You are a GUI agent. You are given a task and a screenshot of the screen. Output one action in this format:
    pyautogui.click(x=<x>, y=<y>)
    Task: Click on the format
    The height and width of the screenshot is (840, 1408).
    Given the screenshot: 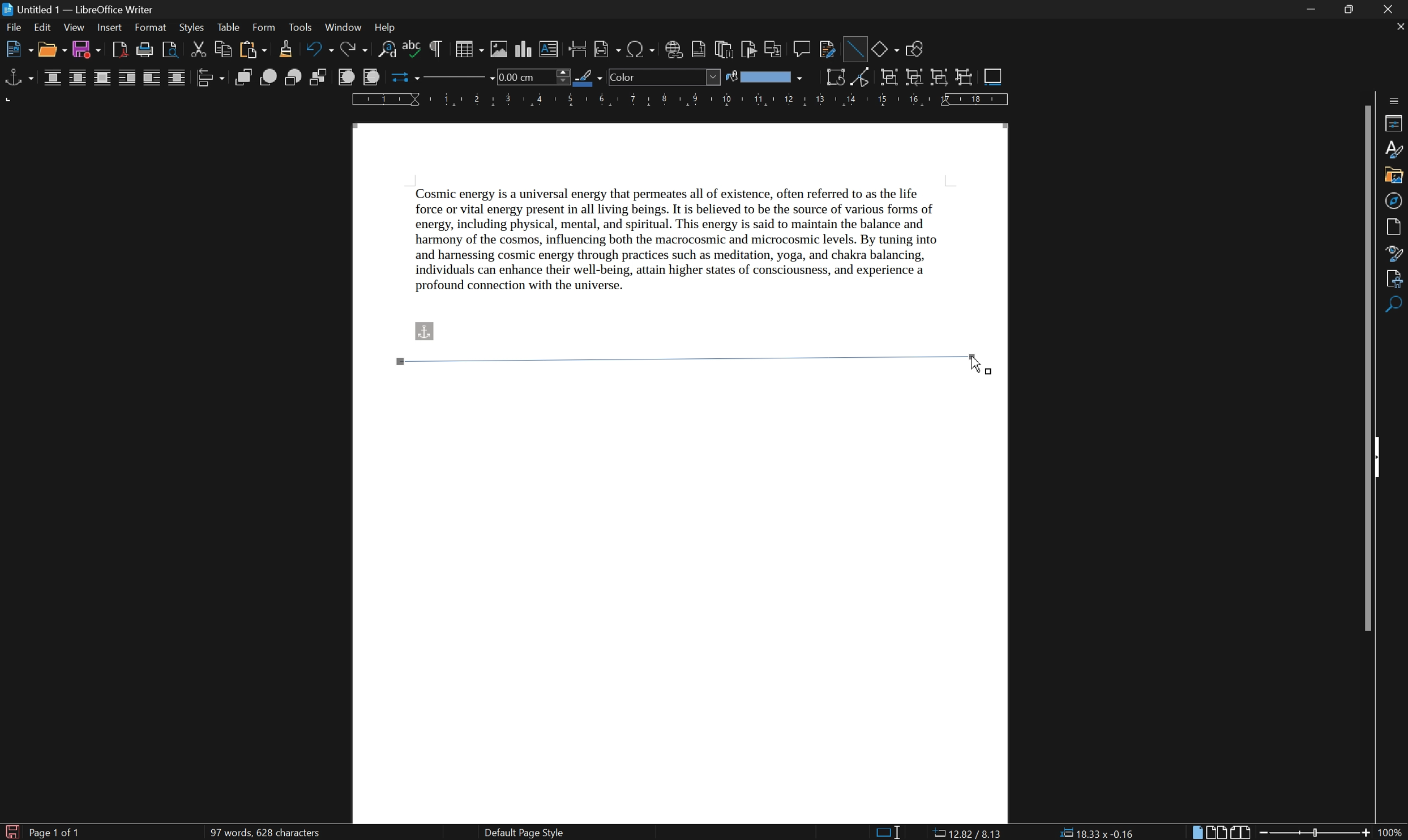 What is the action you would take?
    pyautogui.click(x=151, y=28)
    